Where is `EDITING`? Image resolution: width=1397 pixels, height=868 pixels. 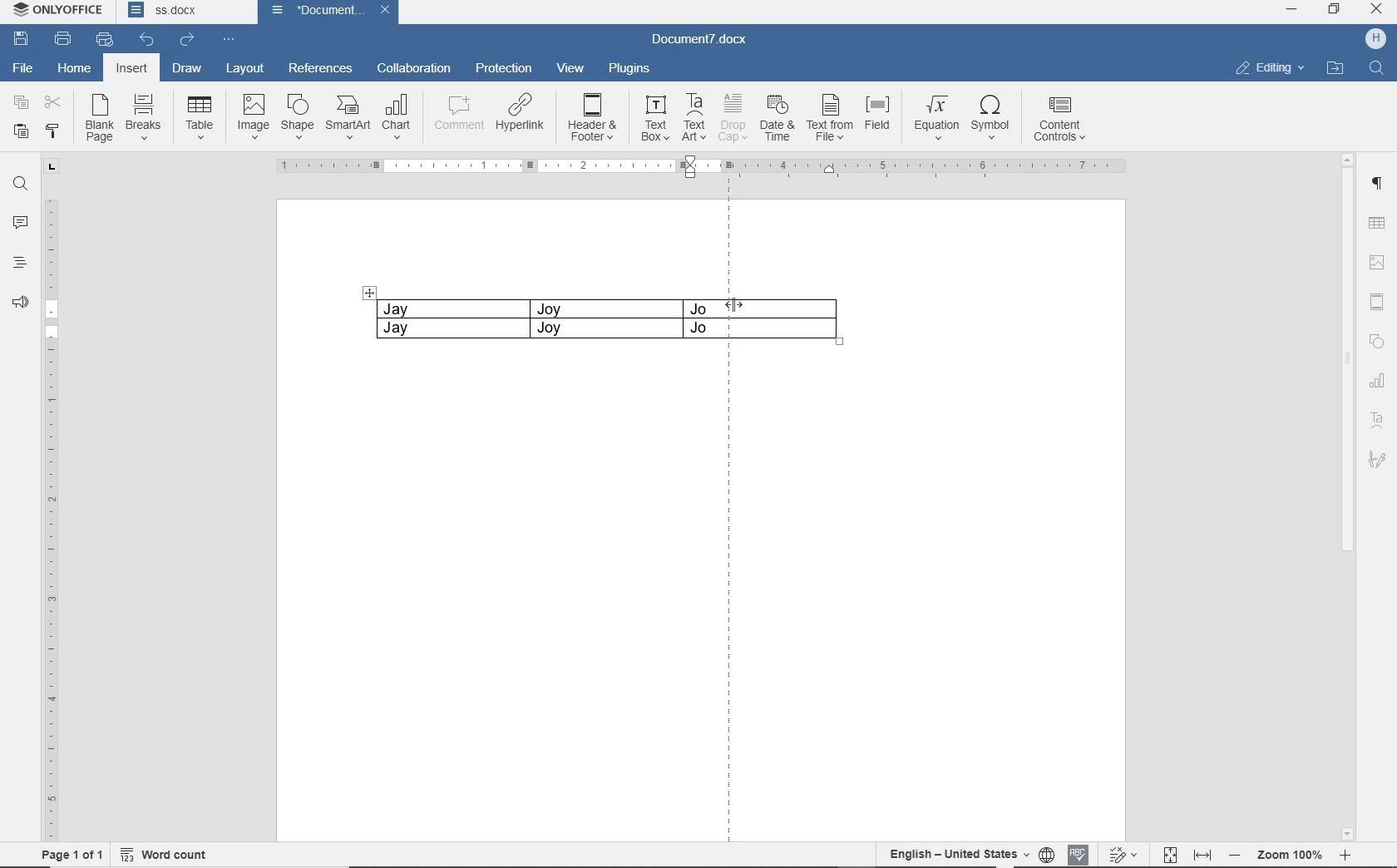
EDITING is located at coordinates (1270, 70).